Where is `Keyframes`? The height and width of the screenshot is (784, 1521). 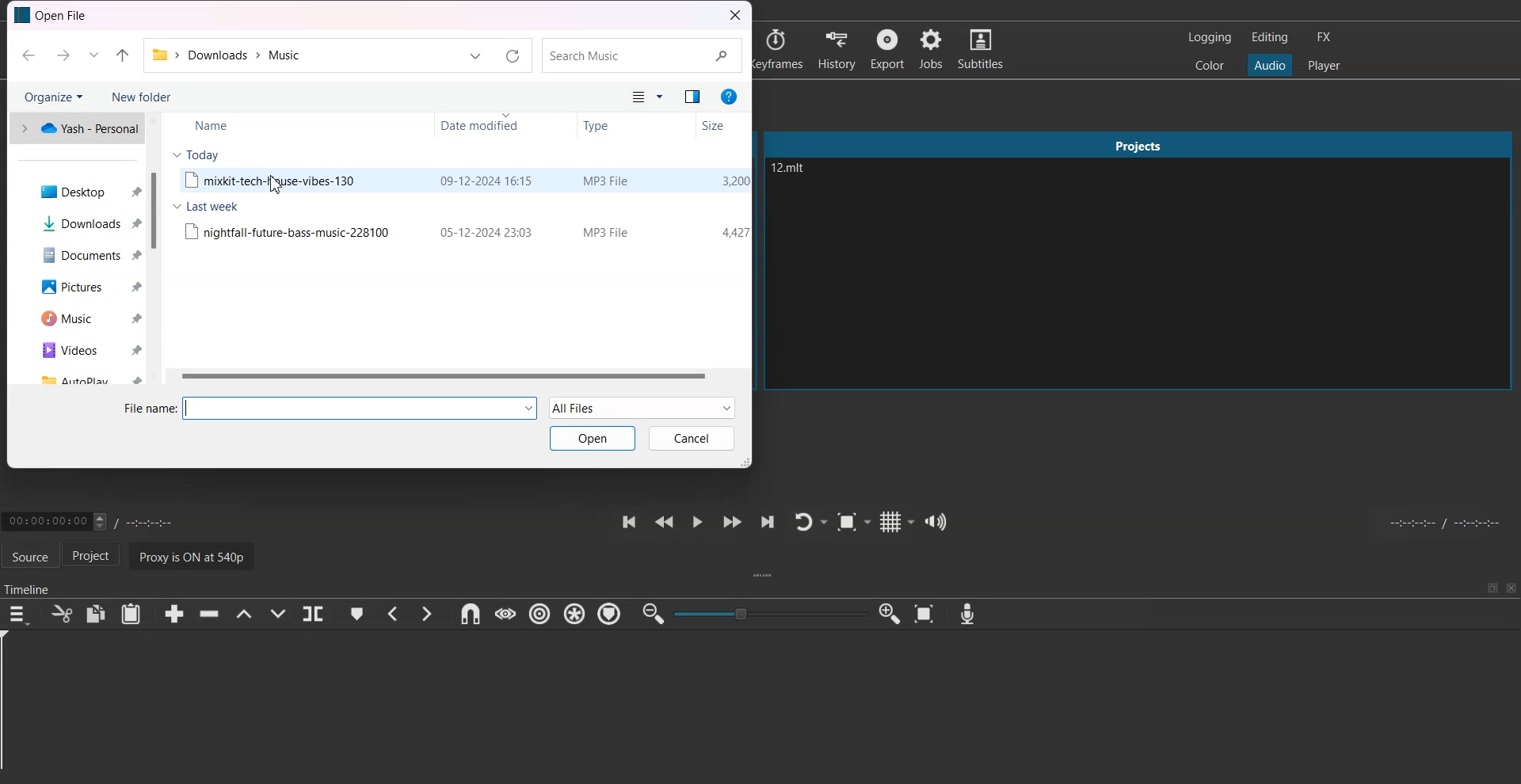
Keyframes is located at coordinates (780, 48).